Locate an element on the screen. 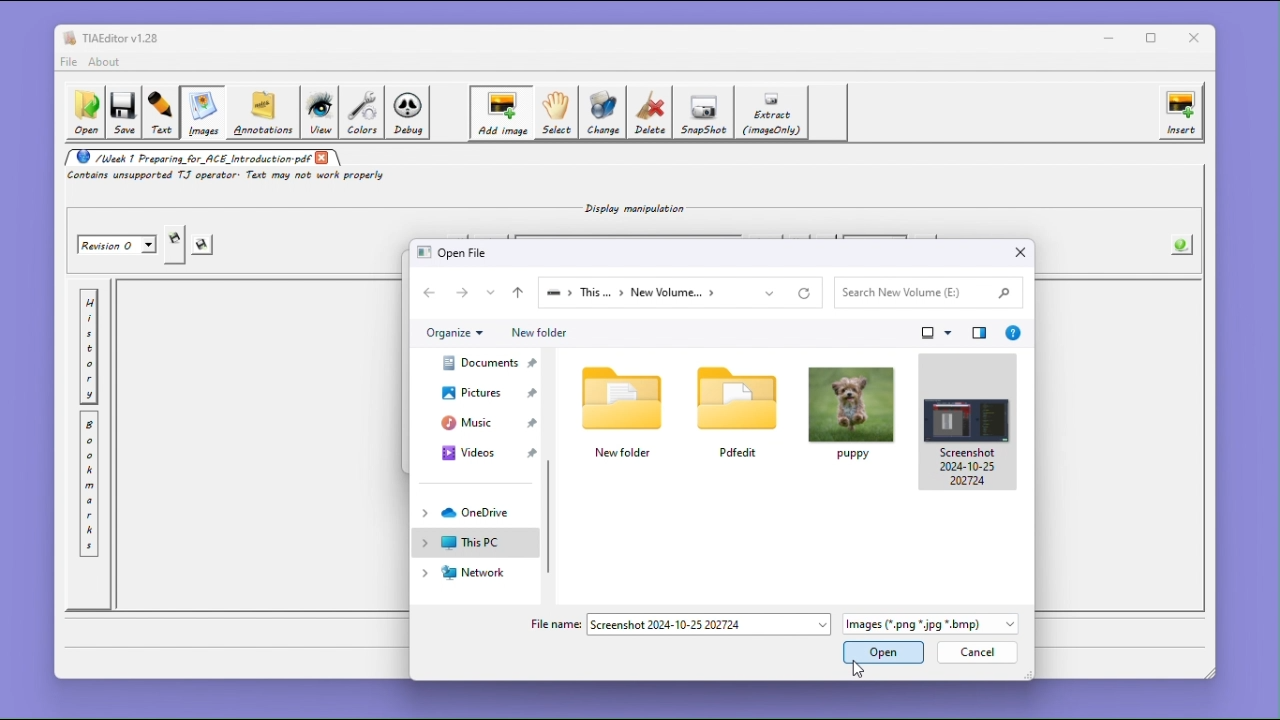 The image size is (1280, 720). SnapShot is located at coordinates (706, 113).